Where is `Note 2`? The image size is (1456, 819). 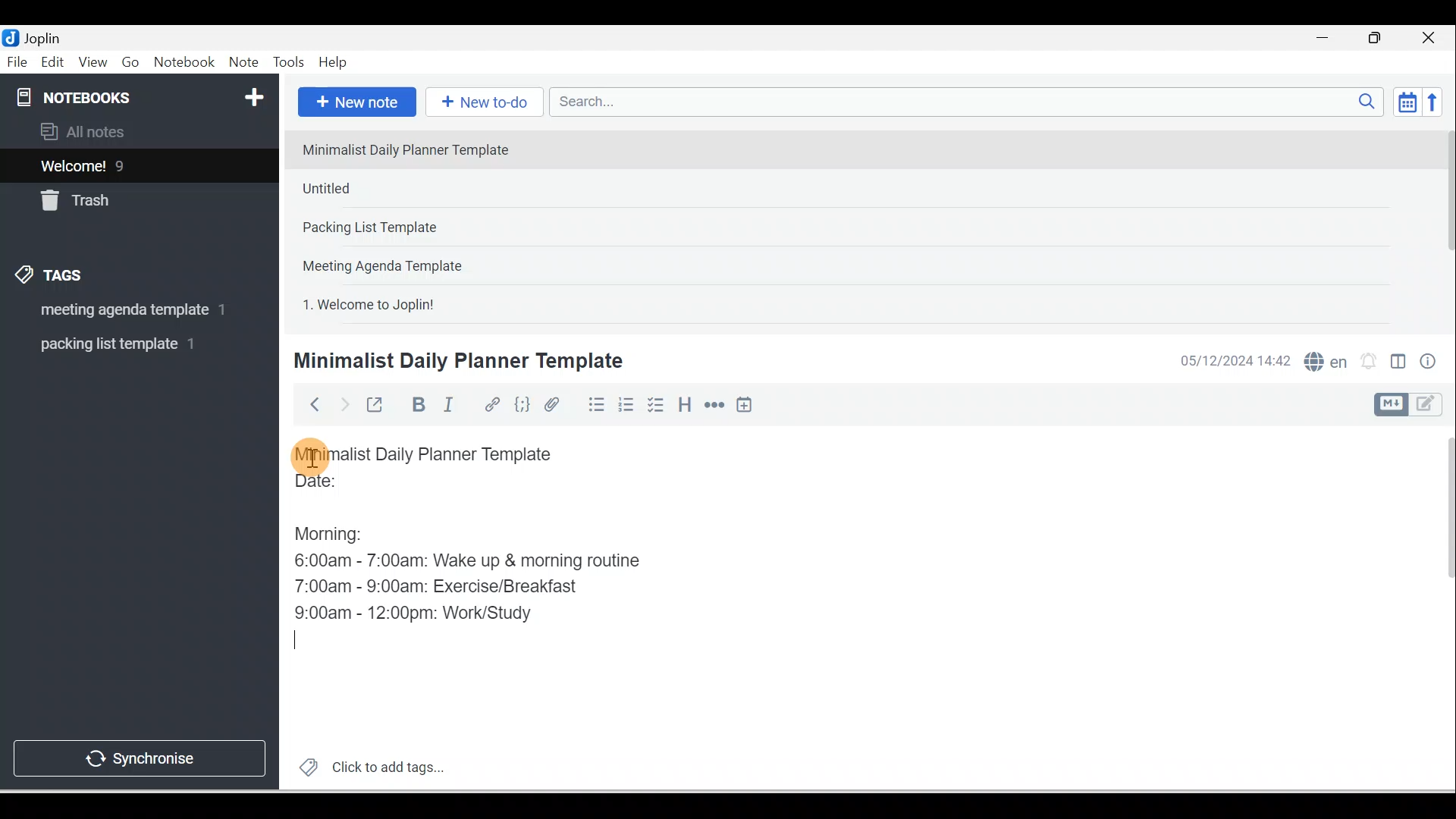 Note 2 is located at coordinates (401, 188).